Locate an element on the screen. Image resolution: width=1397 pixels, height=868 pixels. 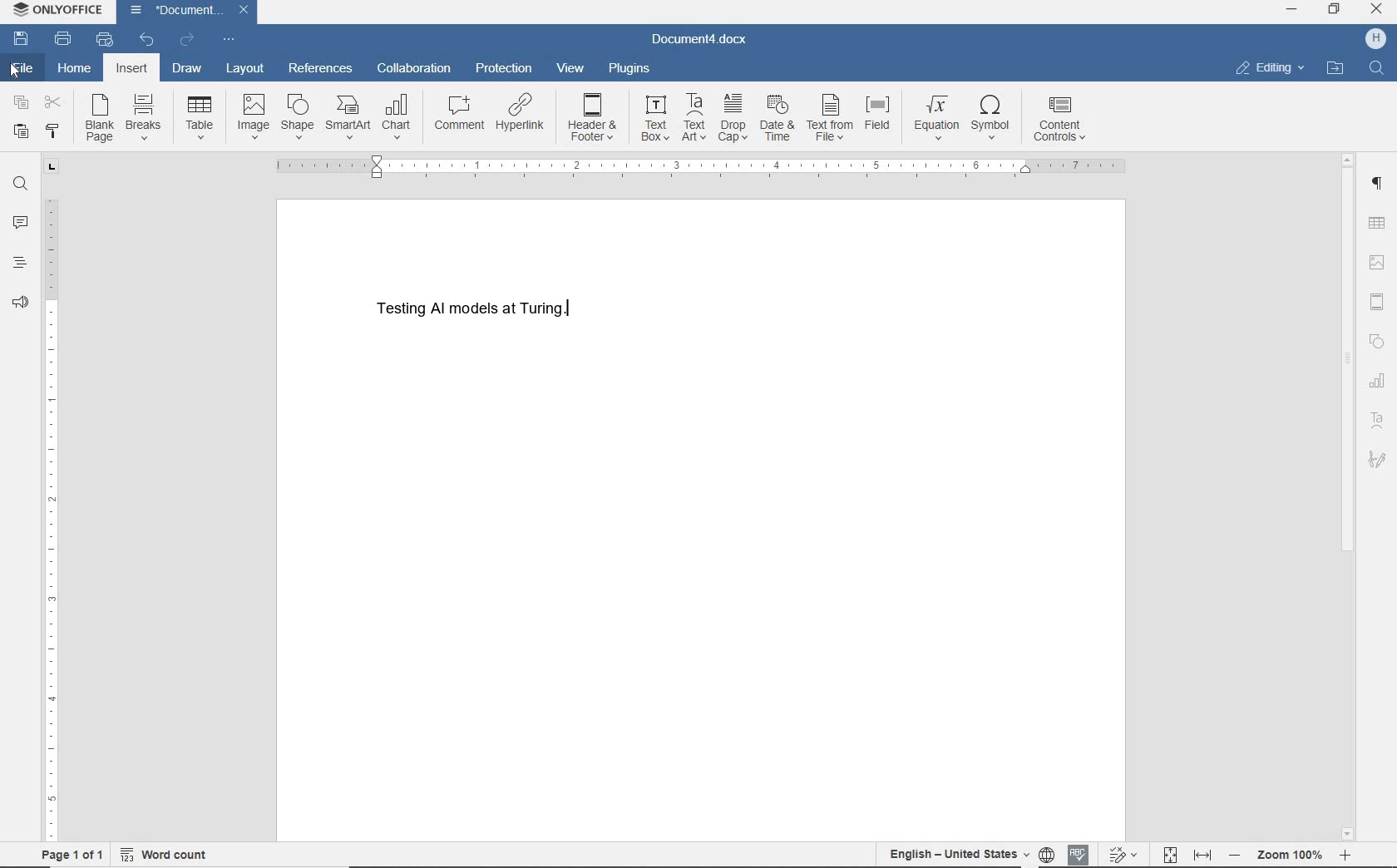
H is located at coordinates (1370, 40).